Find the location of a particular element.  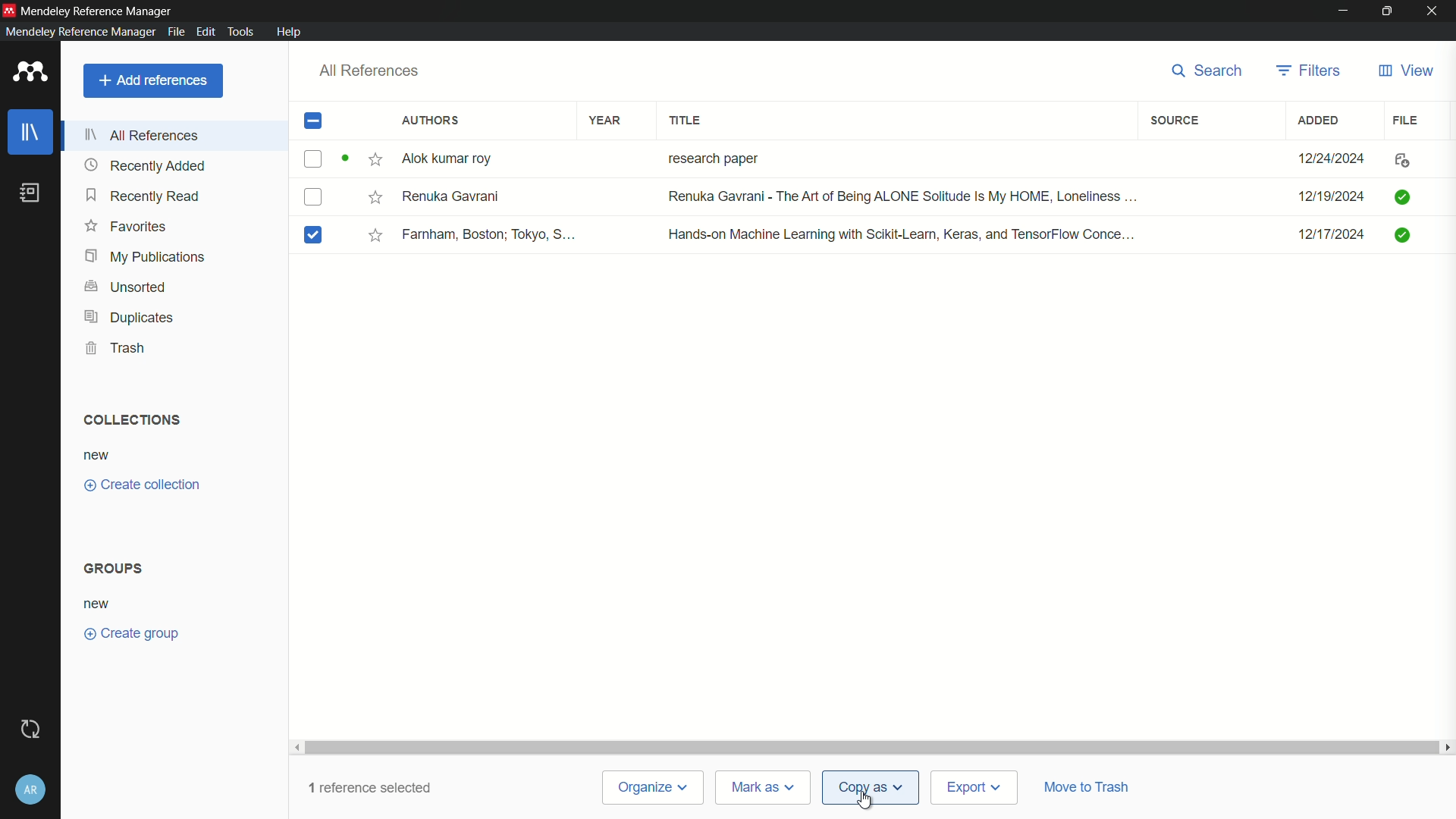

edit menu is located at coordinates (205, 31).